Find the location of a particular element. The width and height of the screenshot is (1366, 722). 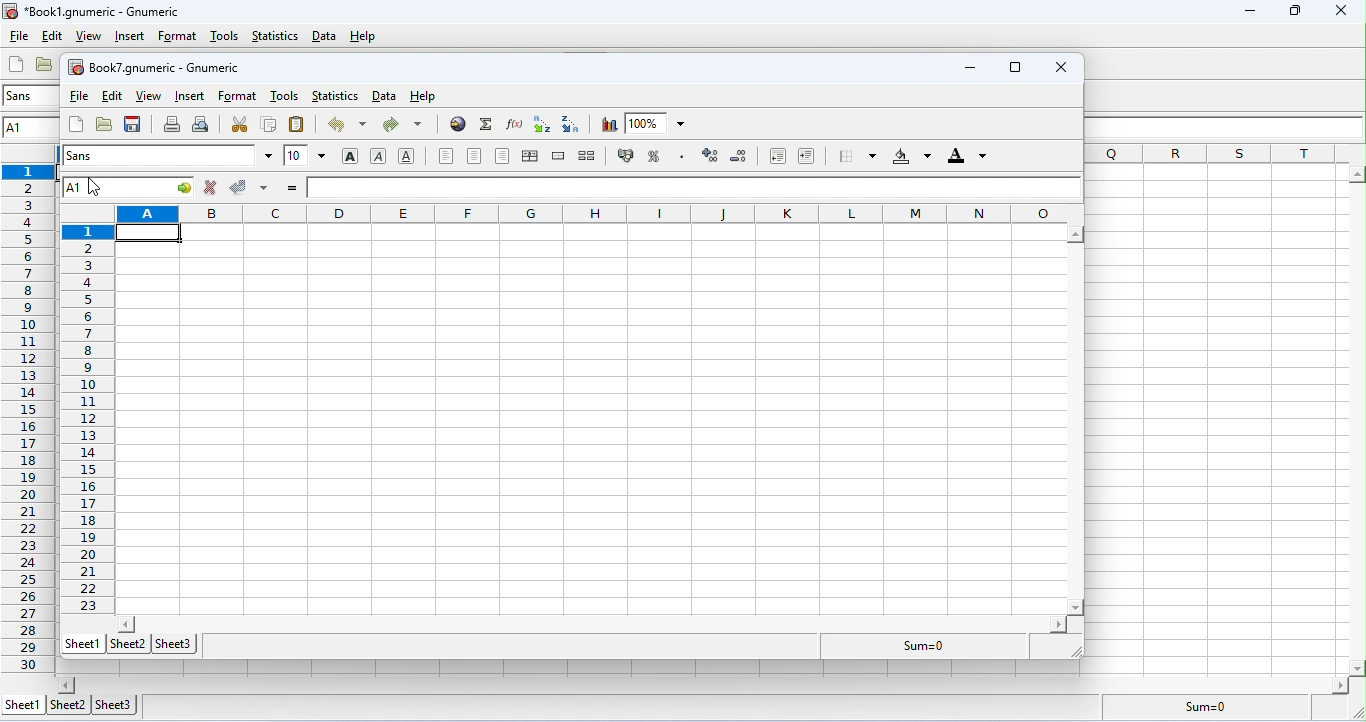

close is located at coordinates (1340, 12).